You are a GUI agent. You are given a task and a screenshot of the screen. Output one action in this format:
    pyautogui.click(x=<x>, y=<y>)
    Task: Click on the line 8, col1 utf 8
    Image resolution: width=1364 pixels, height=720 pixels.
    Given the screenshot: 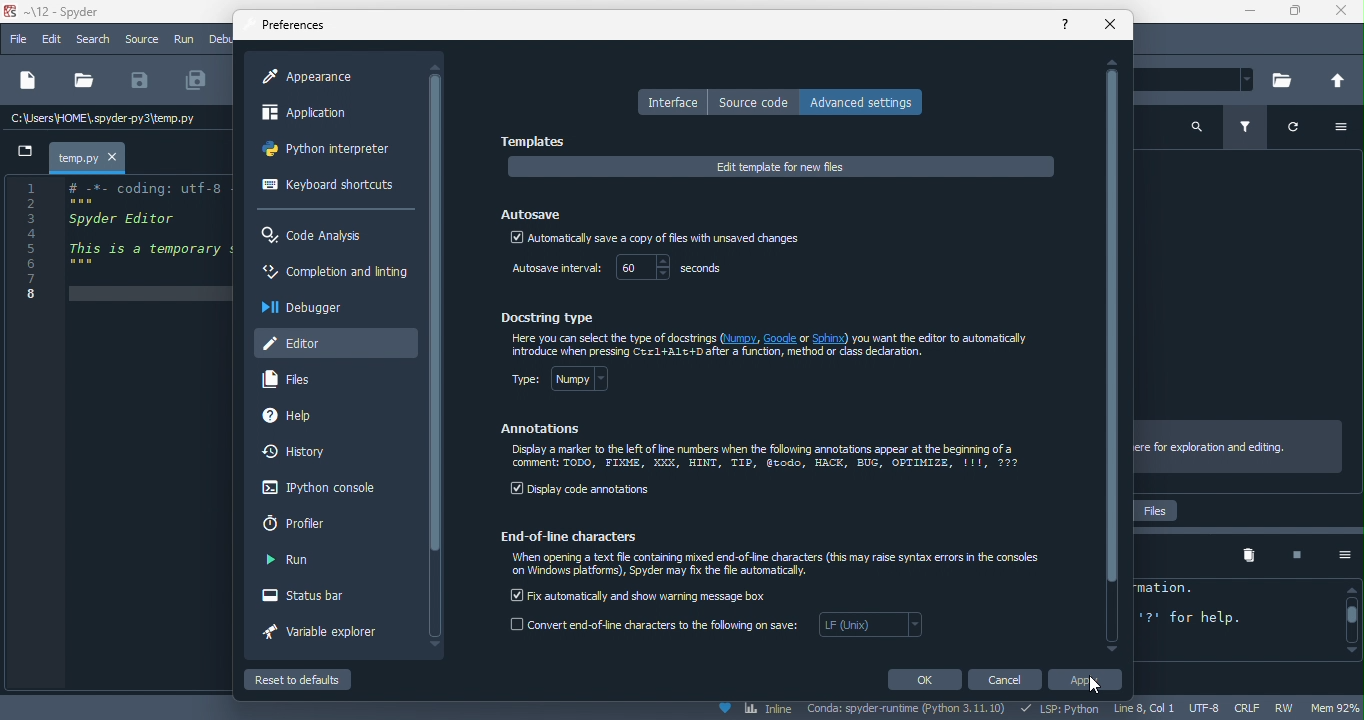 What is the action you would take?
    pyautogui.click(x=1169, y=709)
    